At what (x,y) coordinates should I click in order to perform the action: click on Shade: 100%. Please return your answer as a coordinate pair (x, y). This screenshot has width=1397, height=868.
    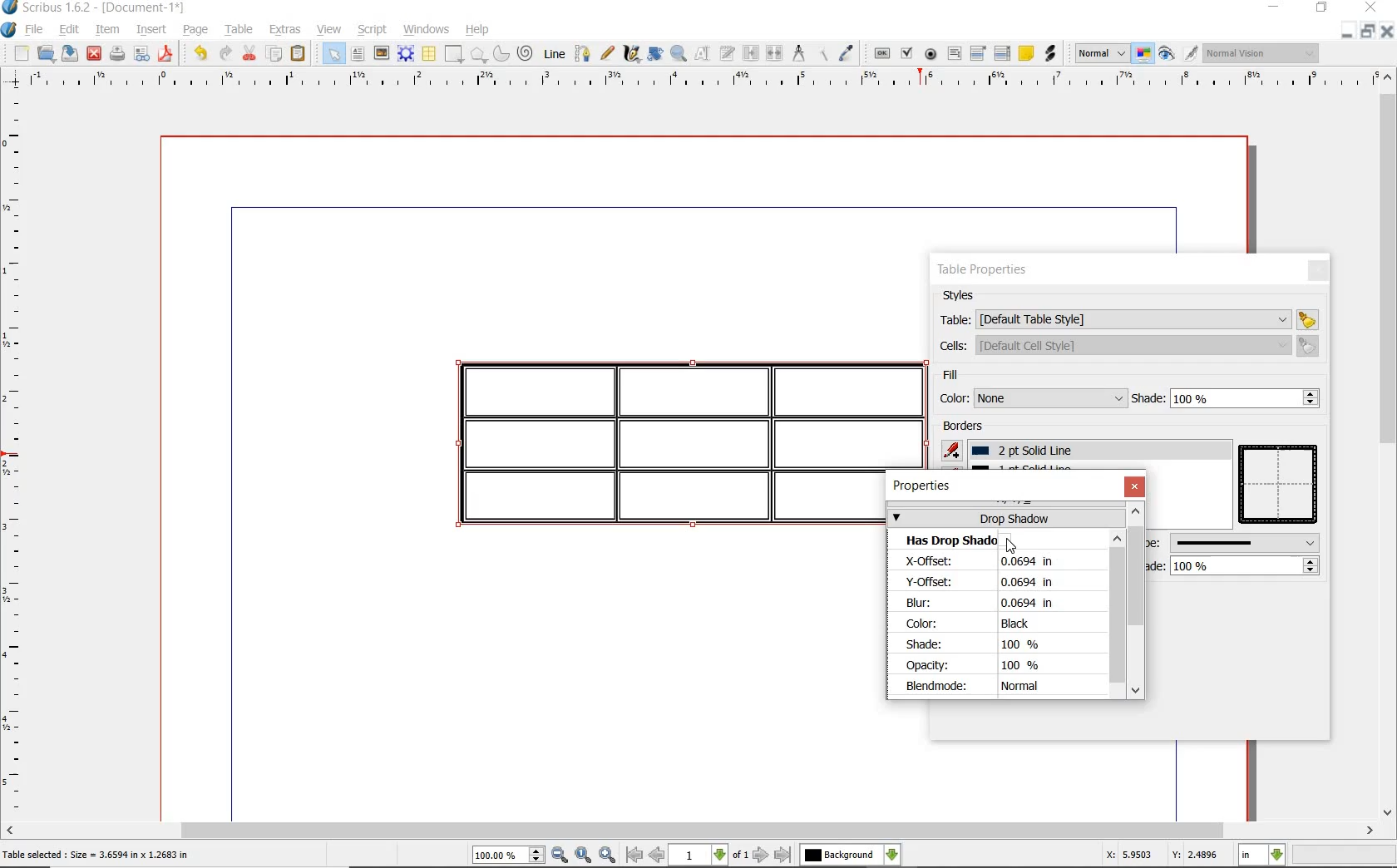
    Looking at the image, I should click on (979, 645).